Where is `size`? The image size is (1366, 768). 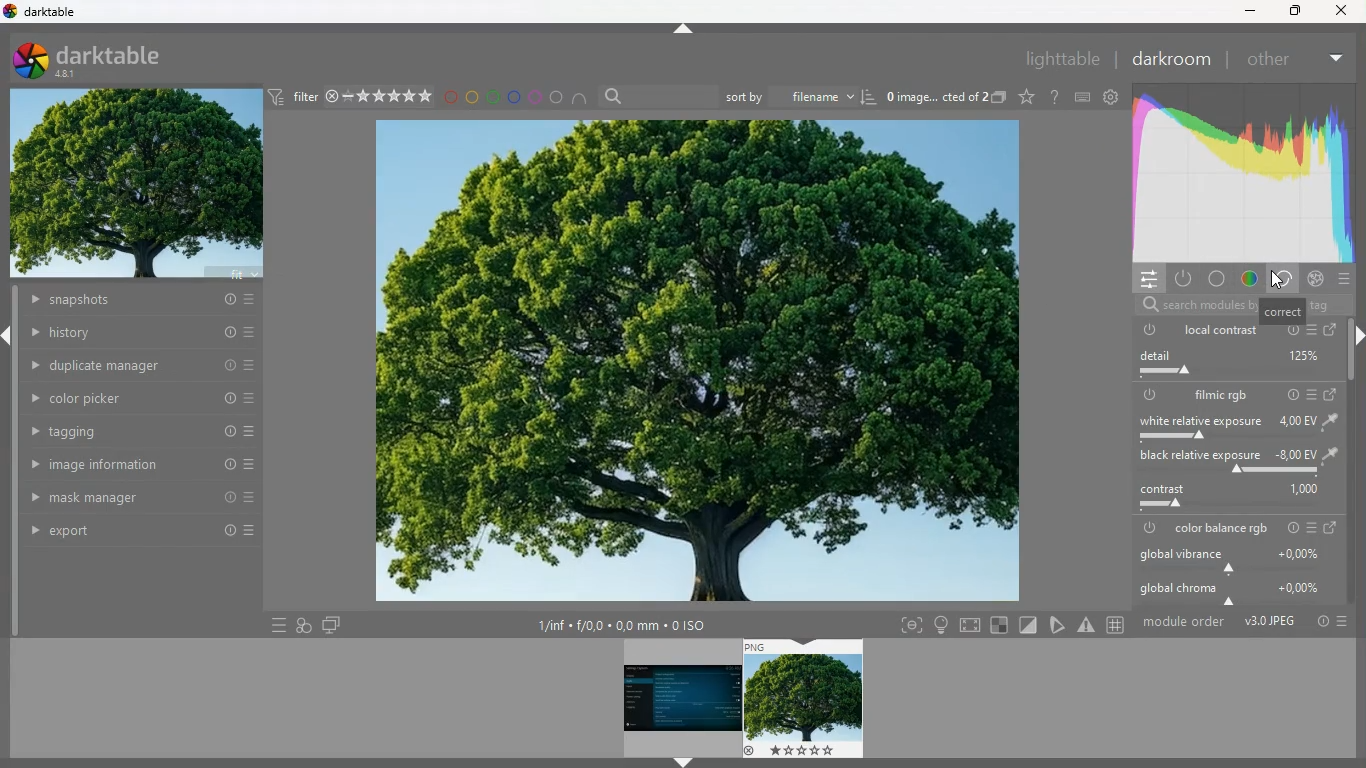 size is located at coordinates (621, 626).